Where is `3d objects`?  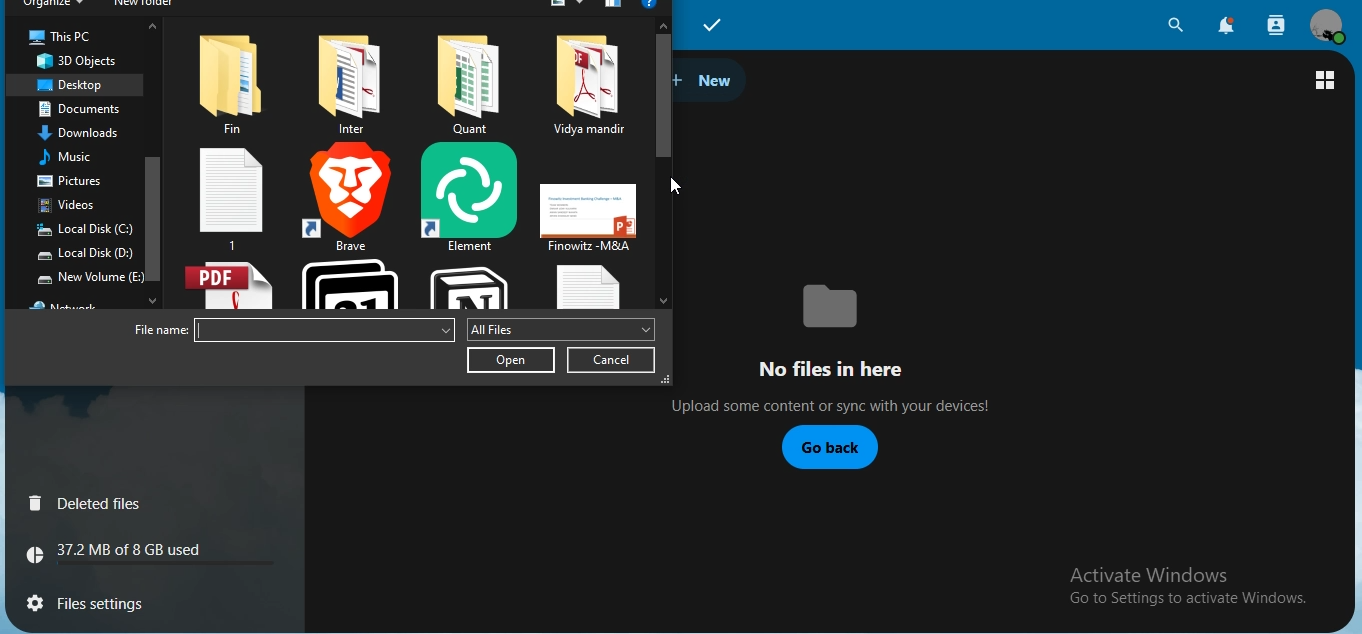
3d objects is located at coordinates (79, 61).